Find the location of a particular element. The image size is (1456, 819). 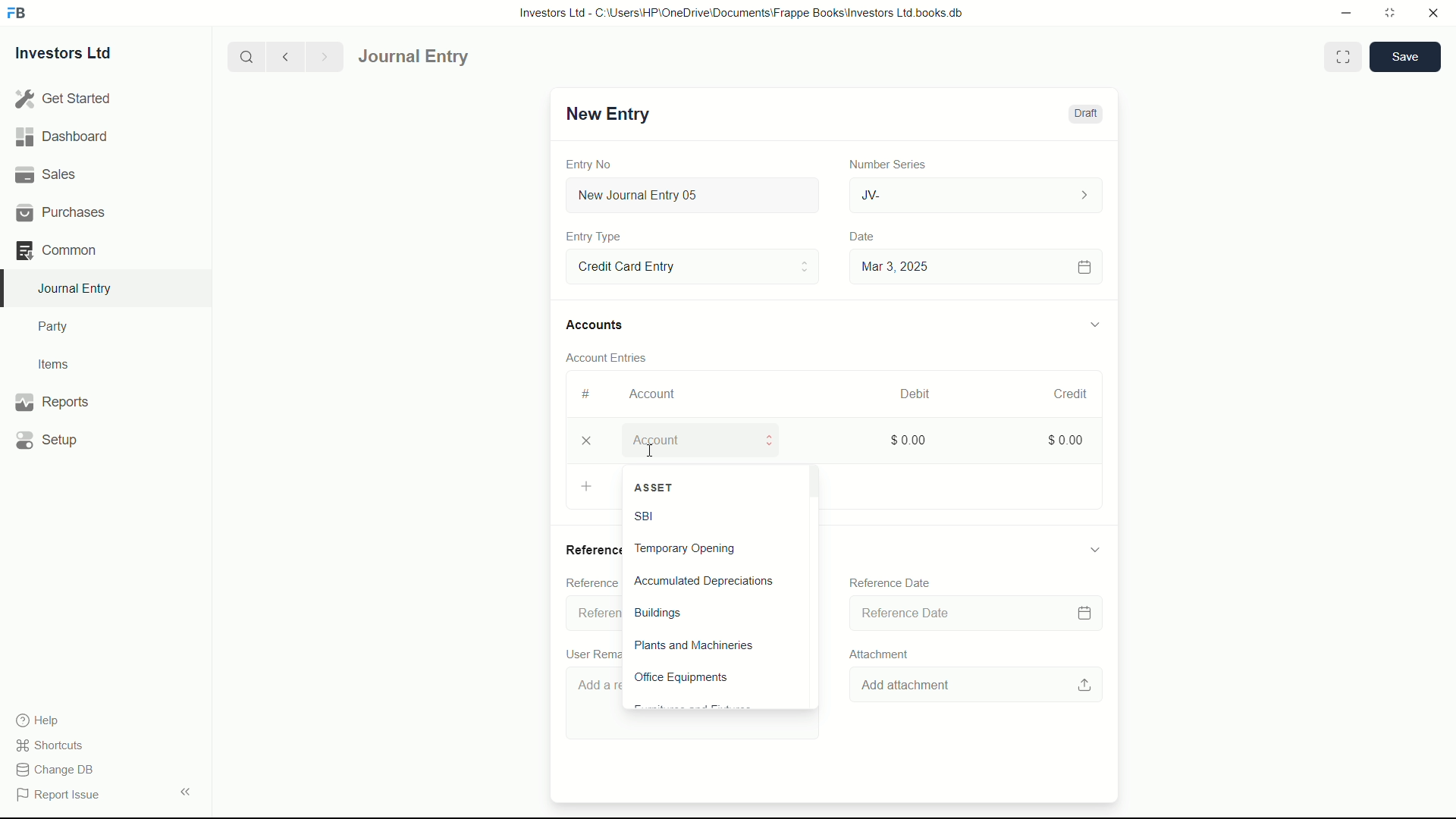

New Journal Entry 05 is located at coordinates (695, 196).